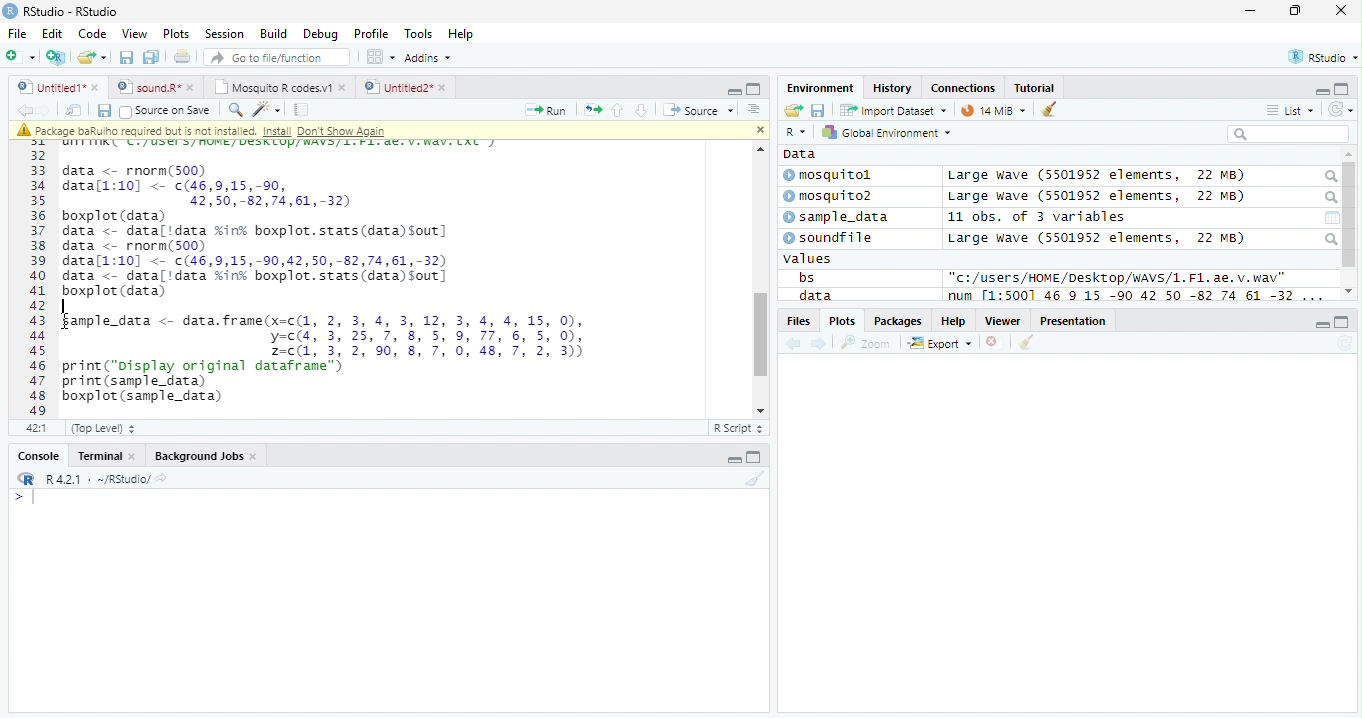  I want to click on A Package baRulho required but is not installed. Install Don't Show Again, so click(242, 130).